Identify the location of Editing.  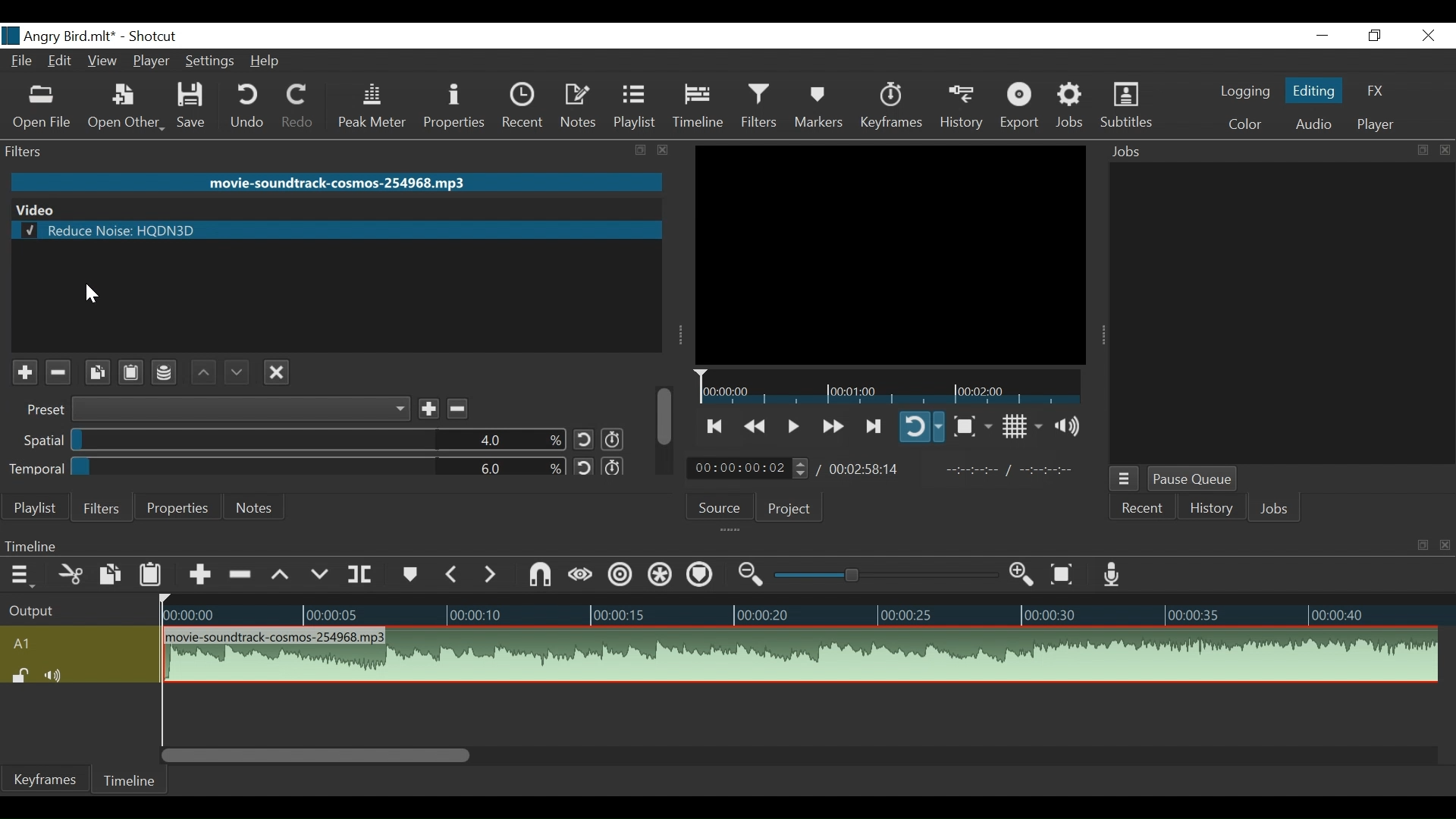
(1314, 88).